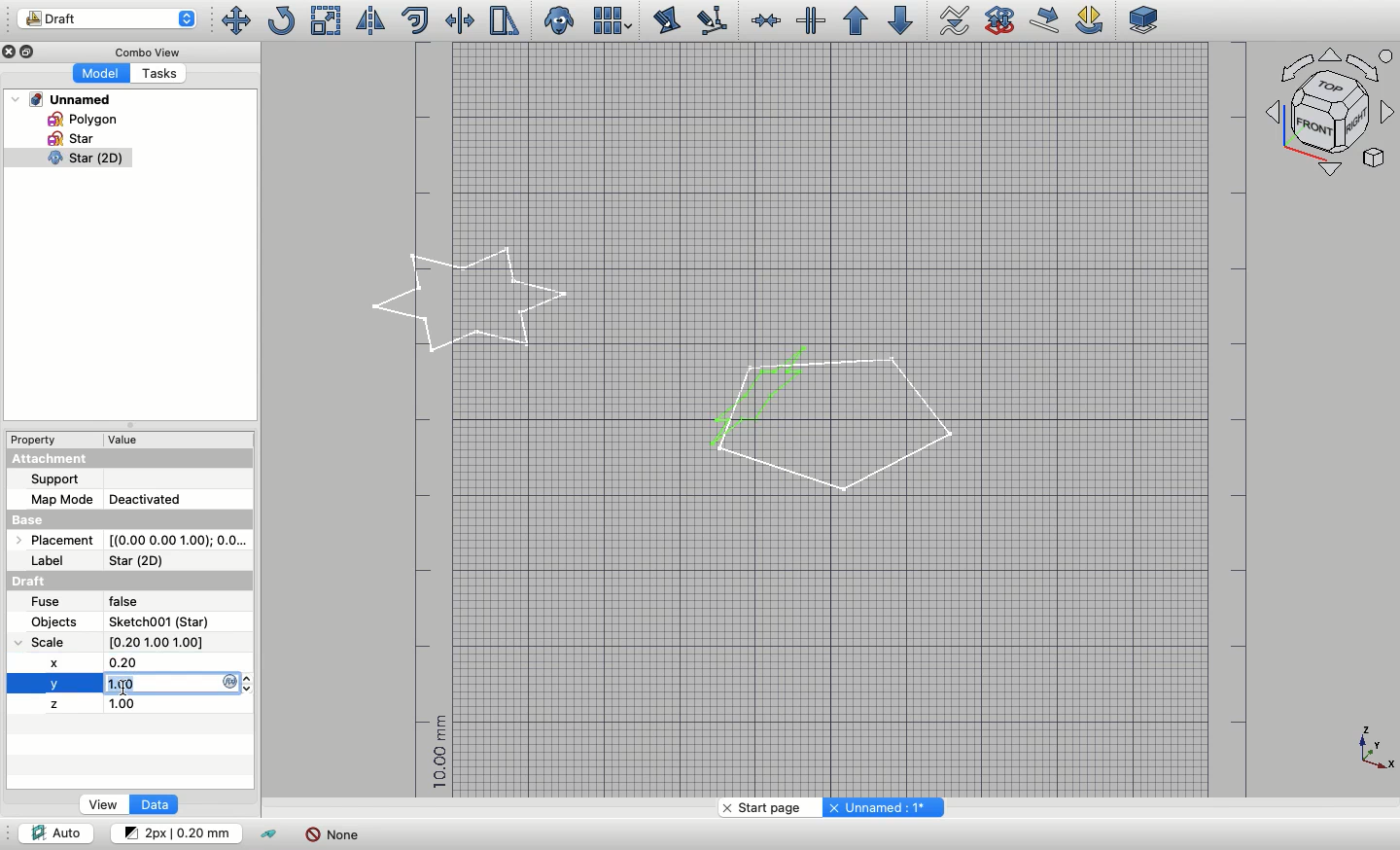 The width and height of the screenshot is (1400, 850). What do you see at coordinates (1376, 749) in the screenshot?
I see `Axis` at bounding box center [1376, 749].